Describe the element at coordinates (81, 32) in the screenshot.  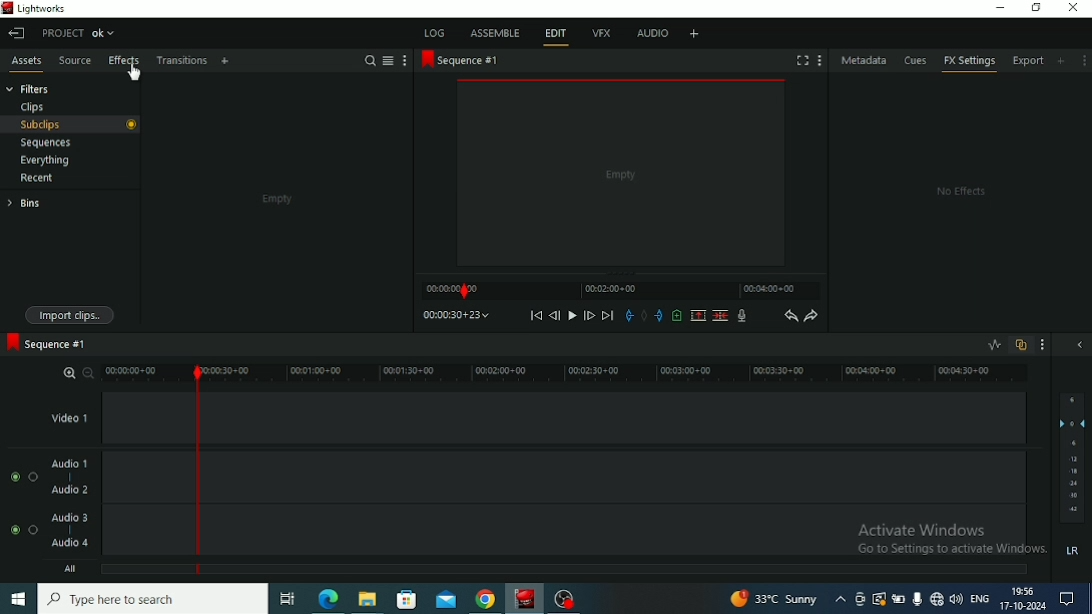
I see `Project status bar` at that location.